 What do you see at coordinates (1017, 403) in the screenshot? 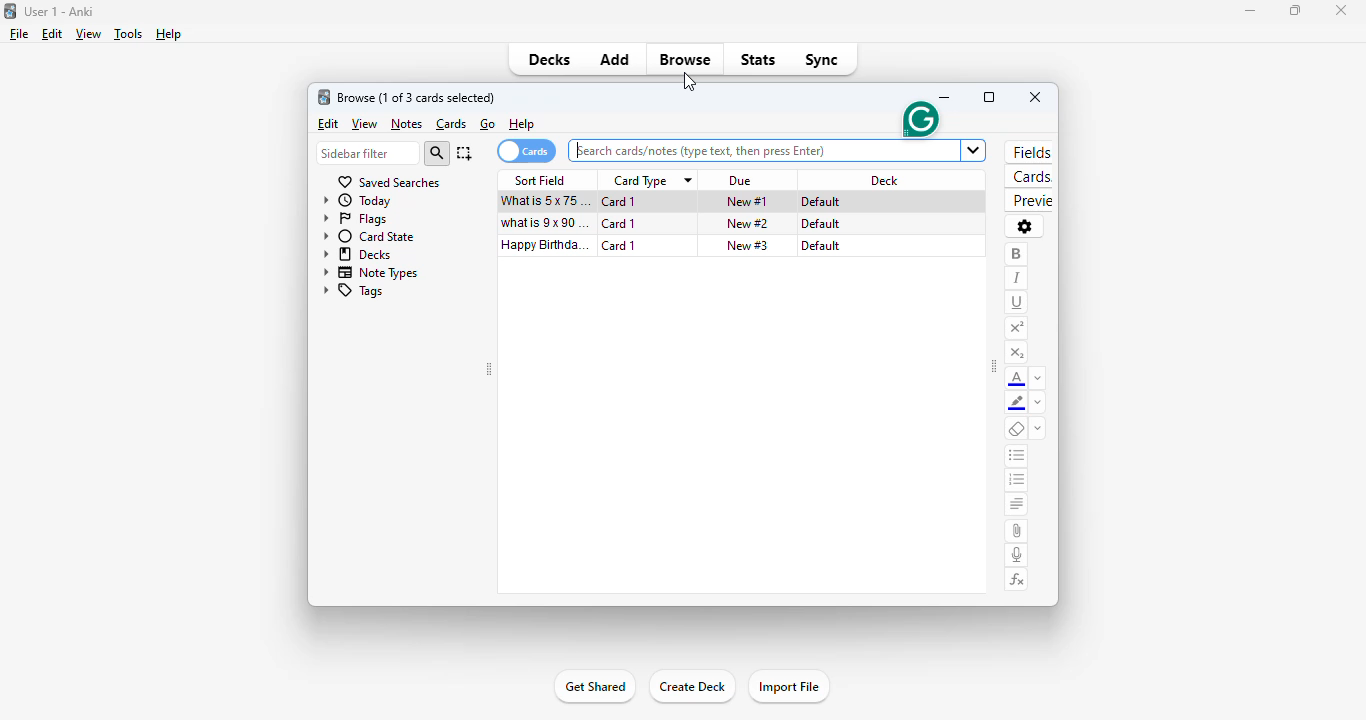
I see `text highlight color` at bounding box center [1017, 403].